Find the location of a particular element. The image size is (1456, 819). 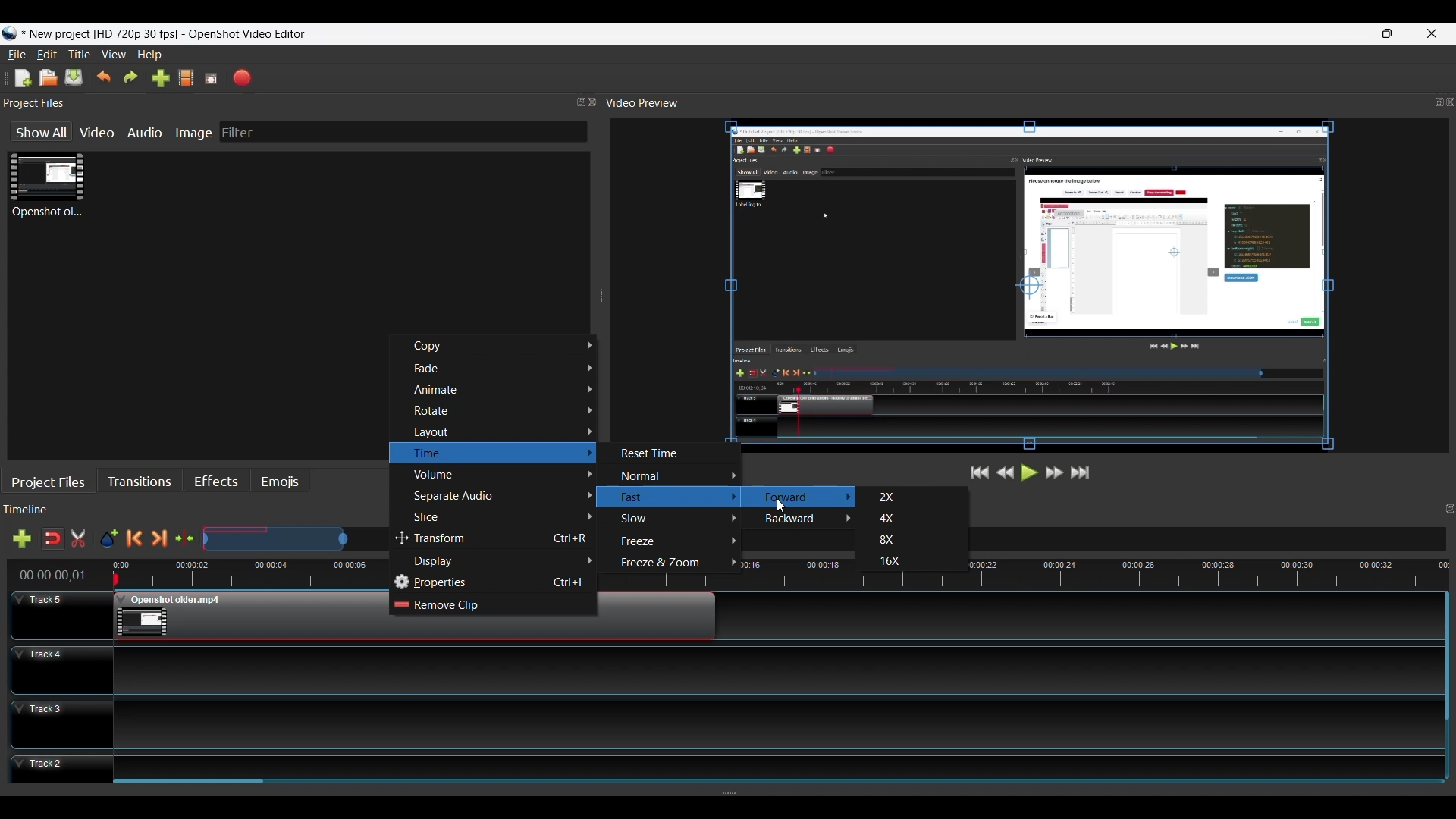

minimize is located at coordinates (1345, 33).